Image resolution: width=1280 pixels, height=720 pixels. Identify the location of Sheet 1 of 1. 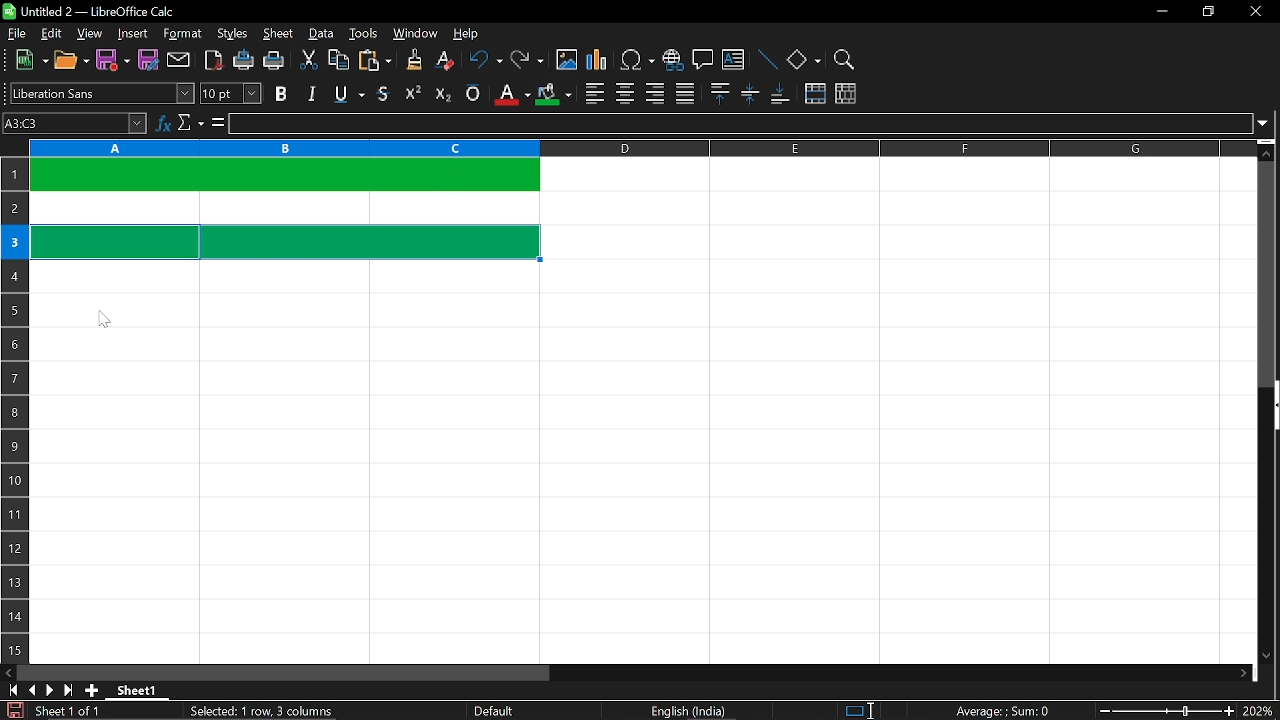
(68, 711).